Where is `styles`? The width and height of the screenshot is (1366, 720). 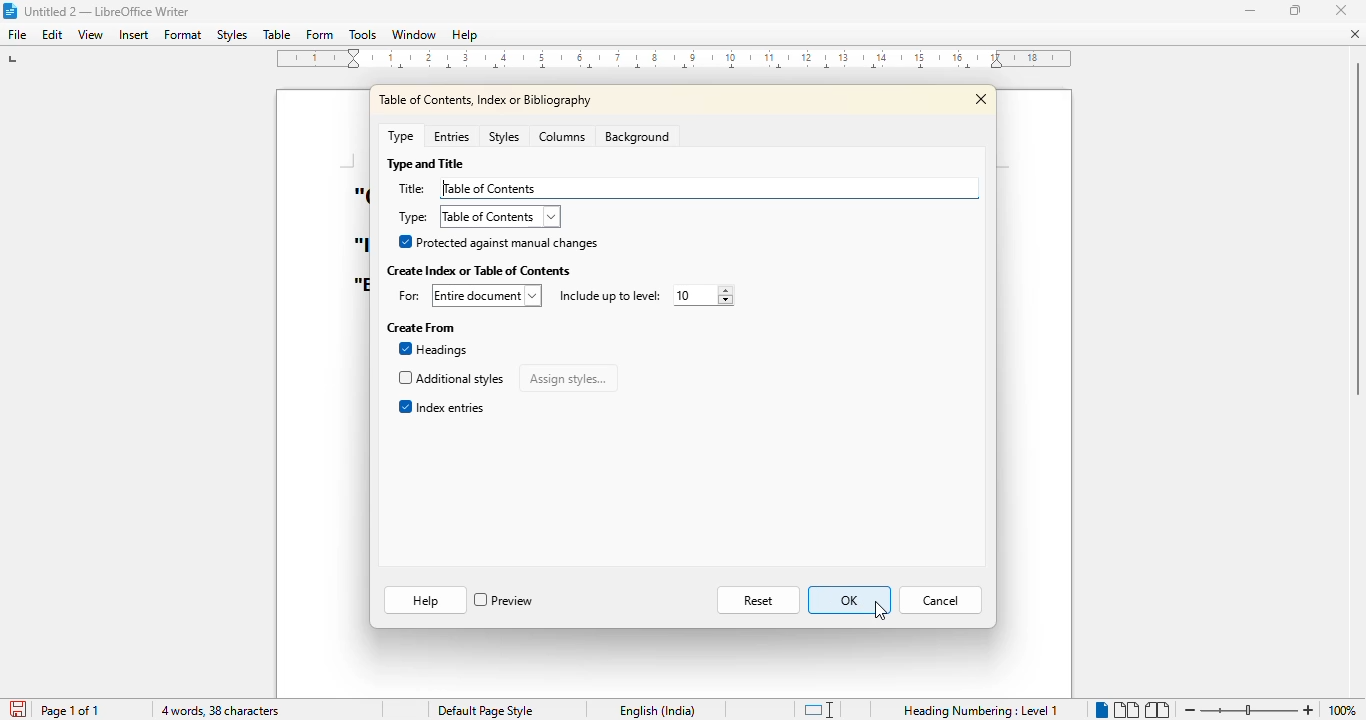
styles is located at coordinates (232, 34).